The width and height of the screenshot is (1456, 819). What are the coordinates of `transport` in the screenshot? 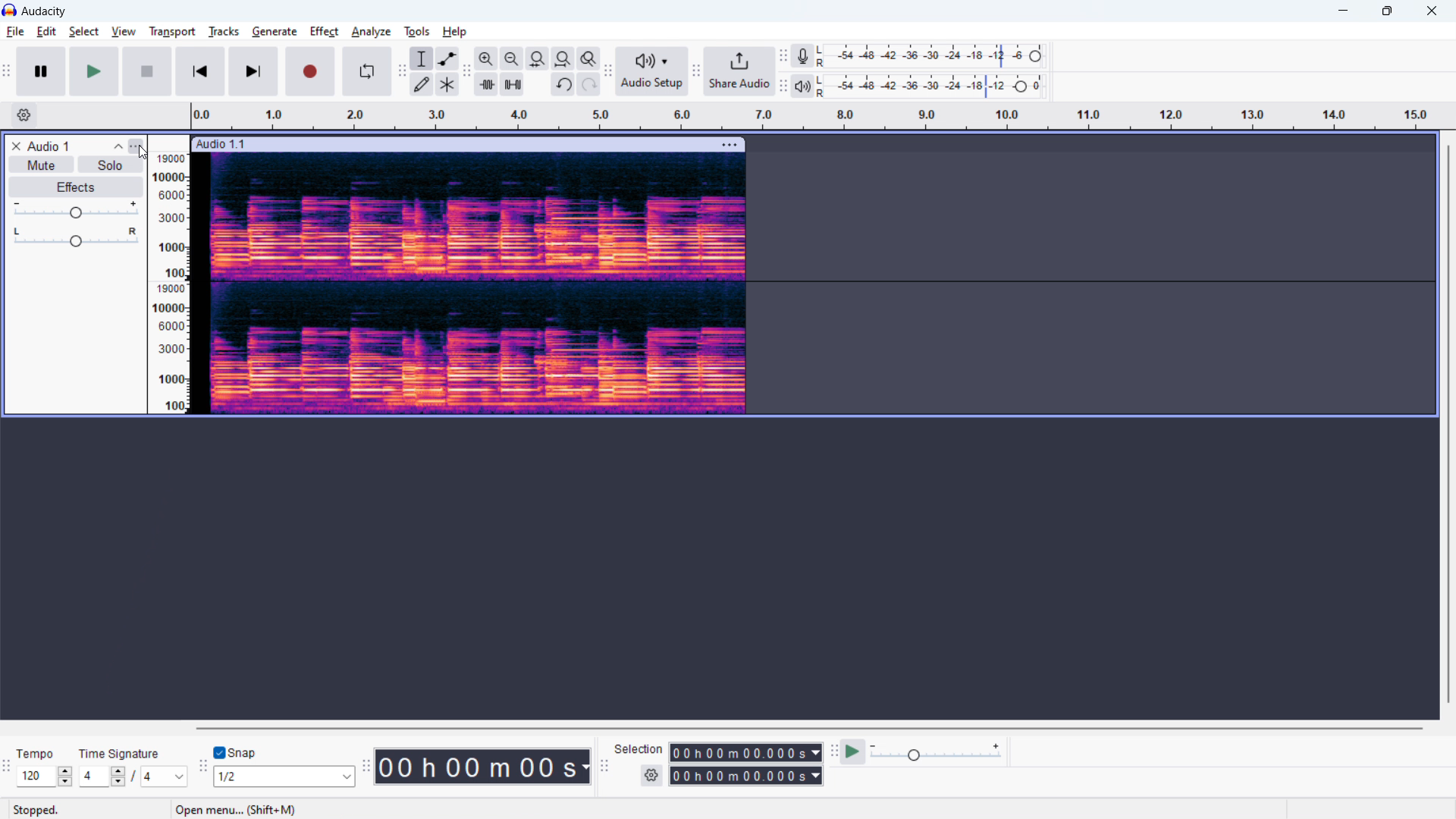 It's located at (173, 31).